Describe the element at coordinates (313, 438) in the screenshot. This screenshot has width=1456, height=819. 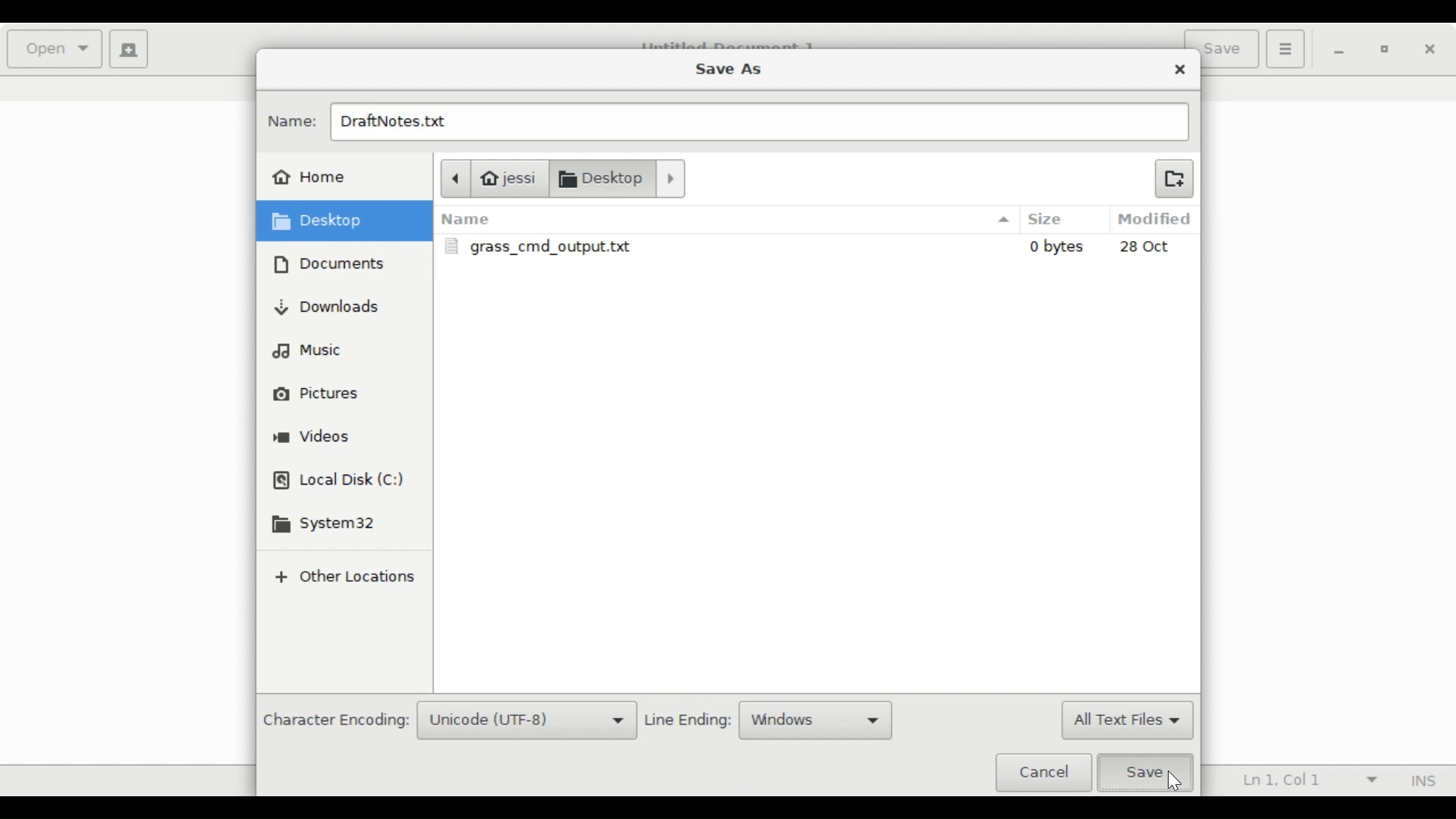
I see `Videos` at that location.